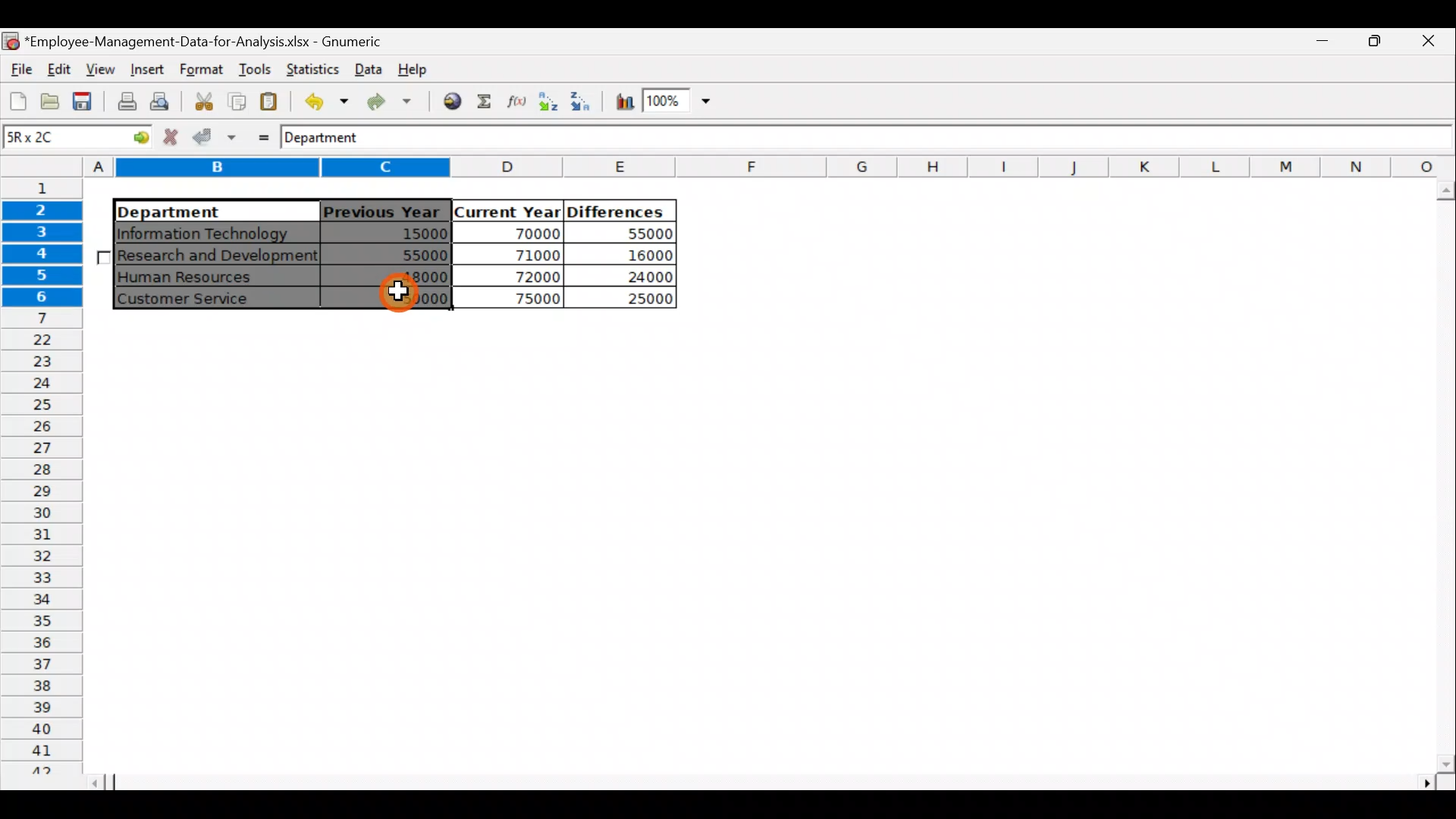 The width and height of the screenshot is (1456, 819). Describe the element at coordinates (582, 102) in the screenshot. I see `Sort in descending order` at that location.